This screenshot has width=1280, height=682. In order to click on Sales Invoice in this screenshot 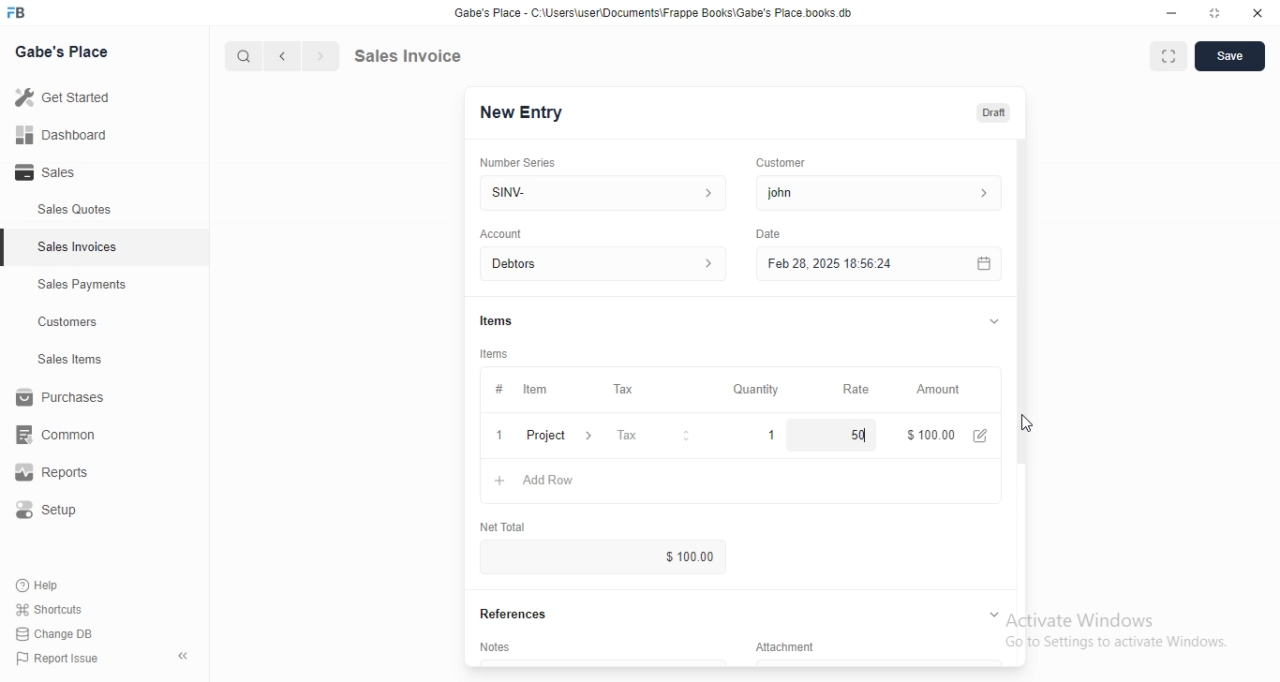, I will do `click(419, 55)`.